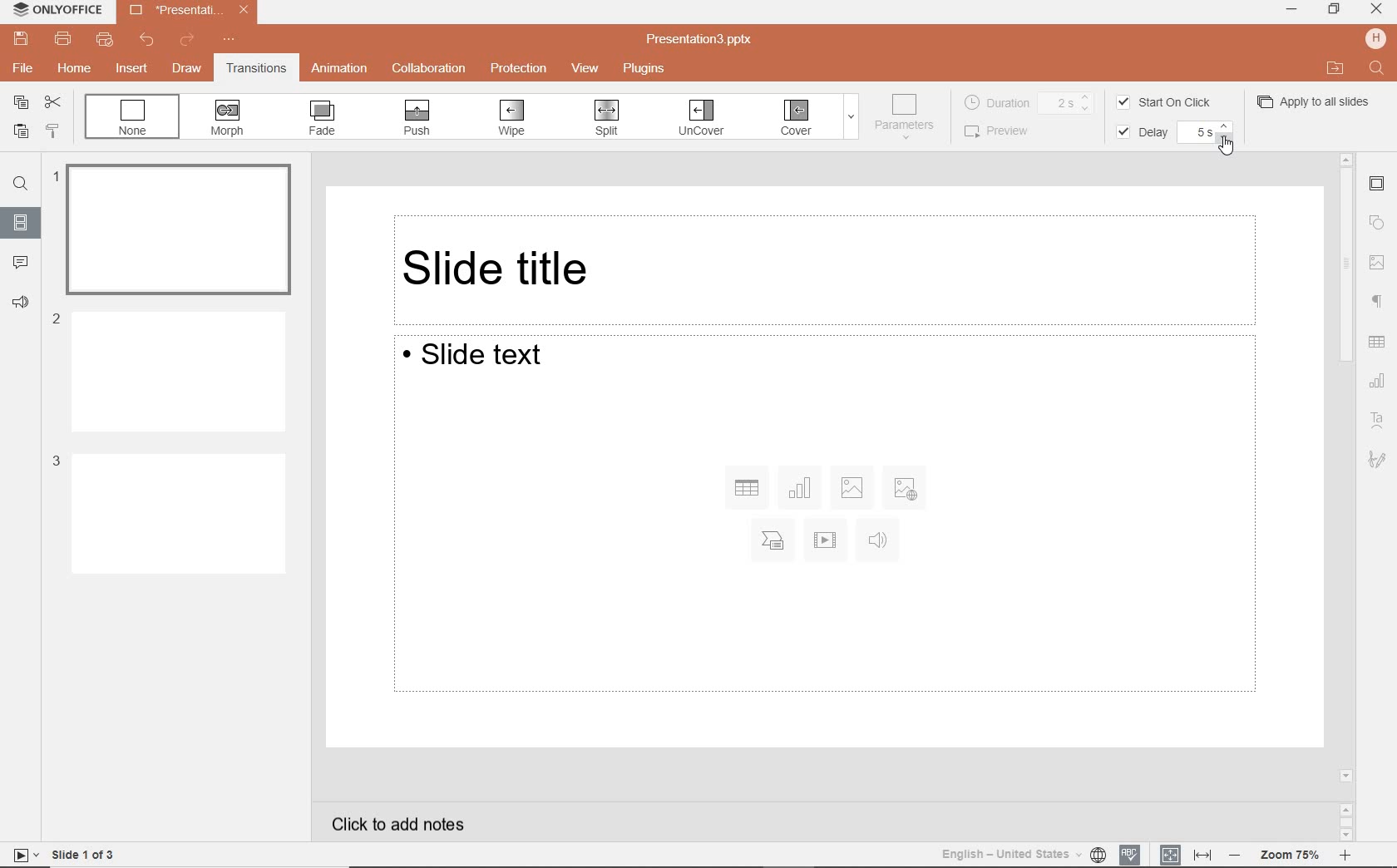  I want to click on Presentation3.pptx, so click(700, 39).